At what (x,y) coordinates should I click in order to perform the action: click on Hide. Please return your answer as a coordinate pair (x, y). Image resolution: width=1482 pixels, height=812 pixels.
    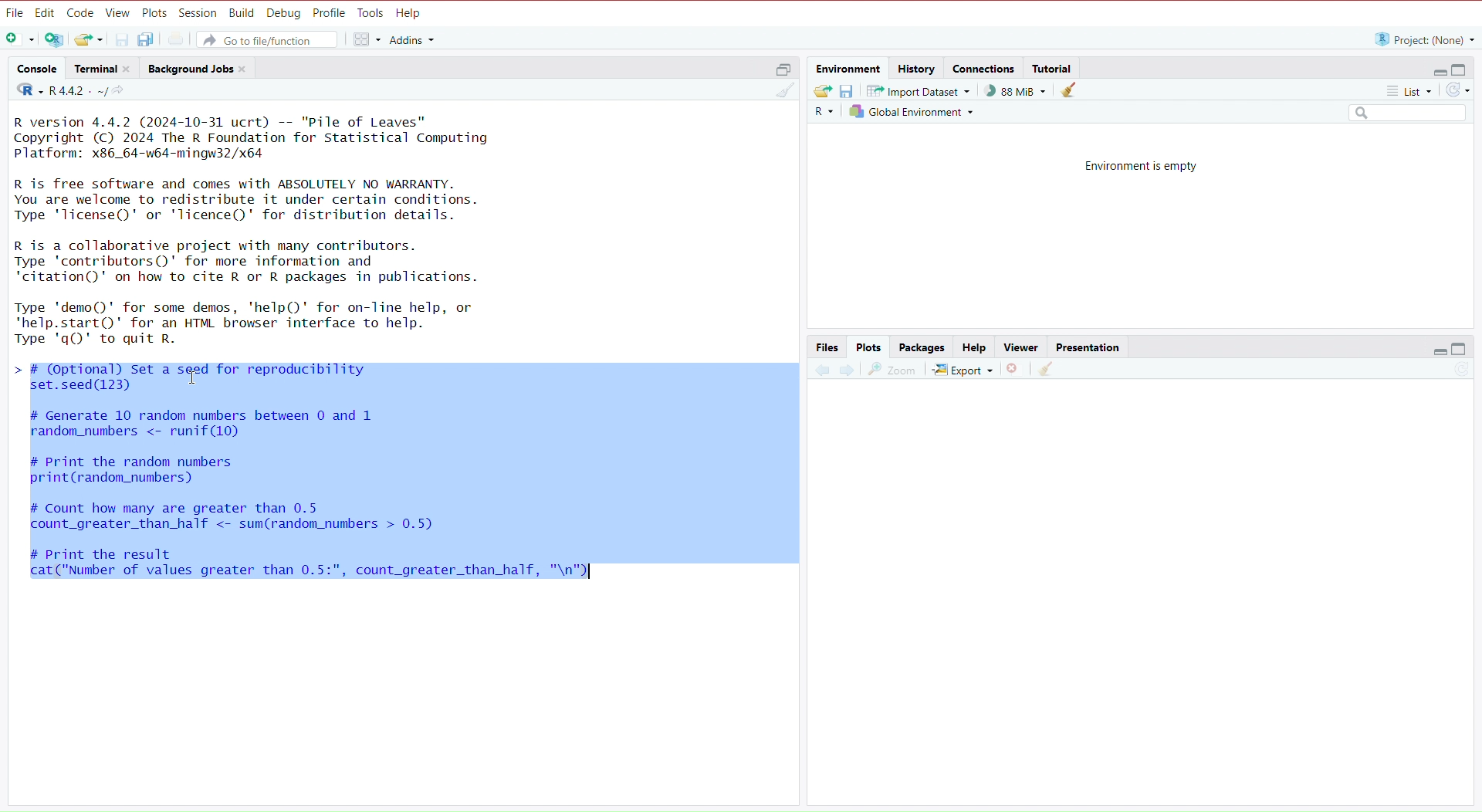
    Looking at the image, I should click on (1439, 349).